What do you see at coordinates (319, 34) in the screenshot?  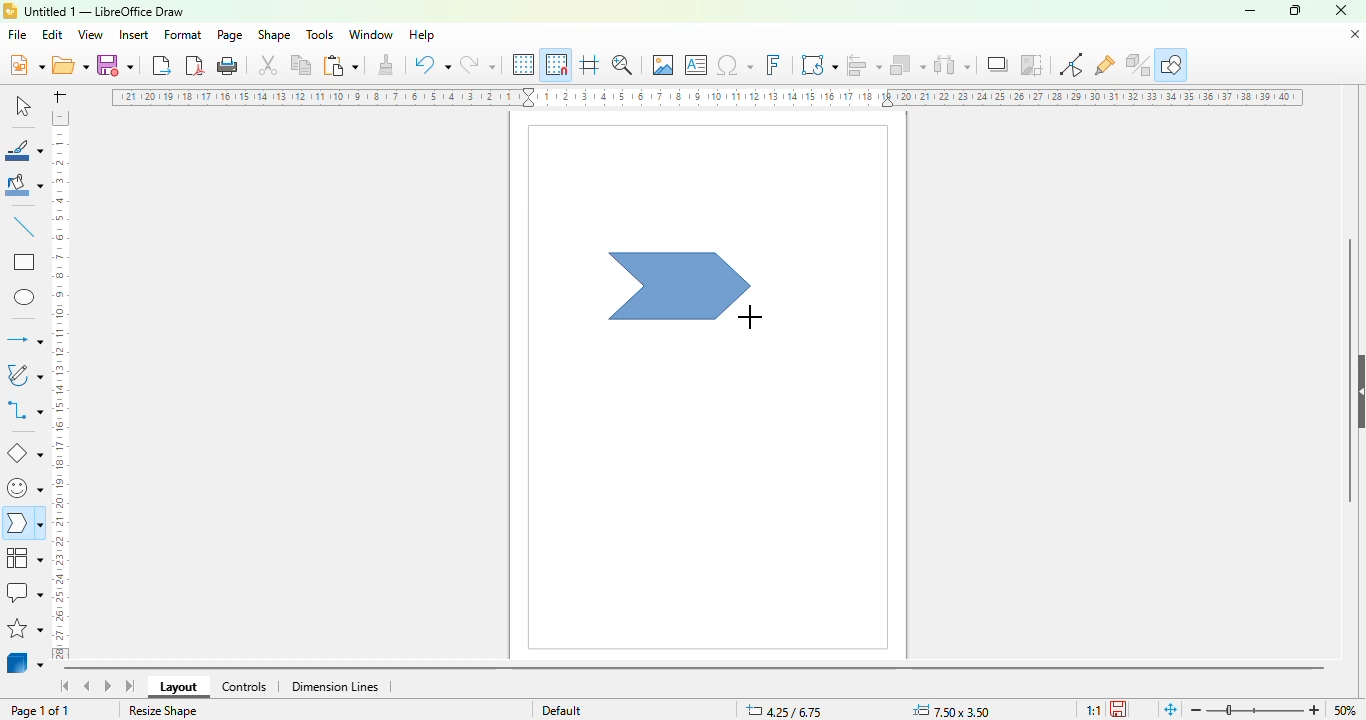 I see `tools` at bounding box center [319, 34].